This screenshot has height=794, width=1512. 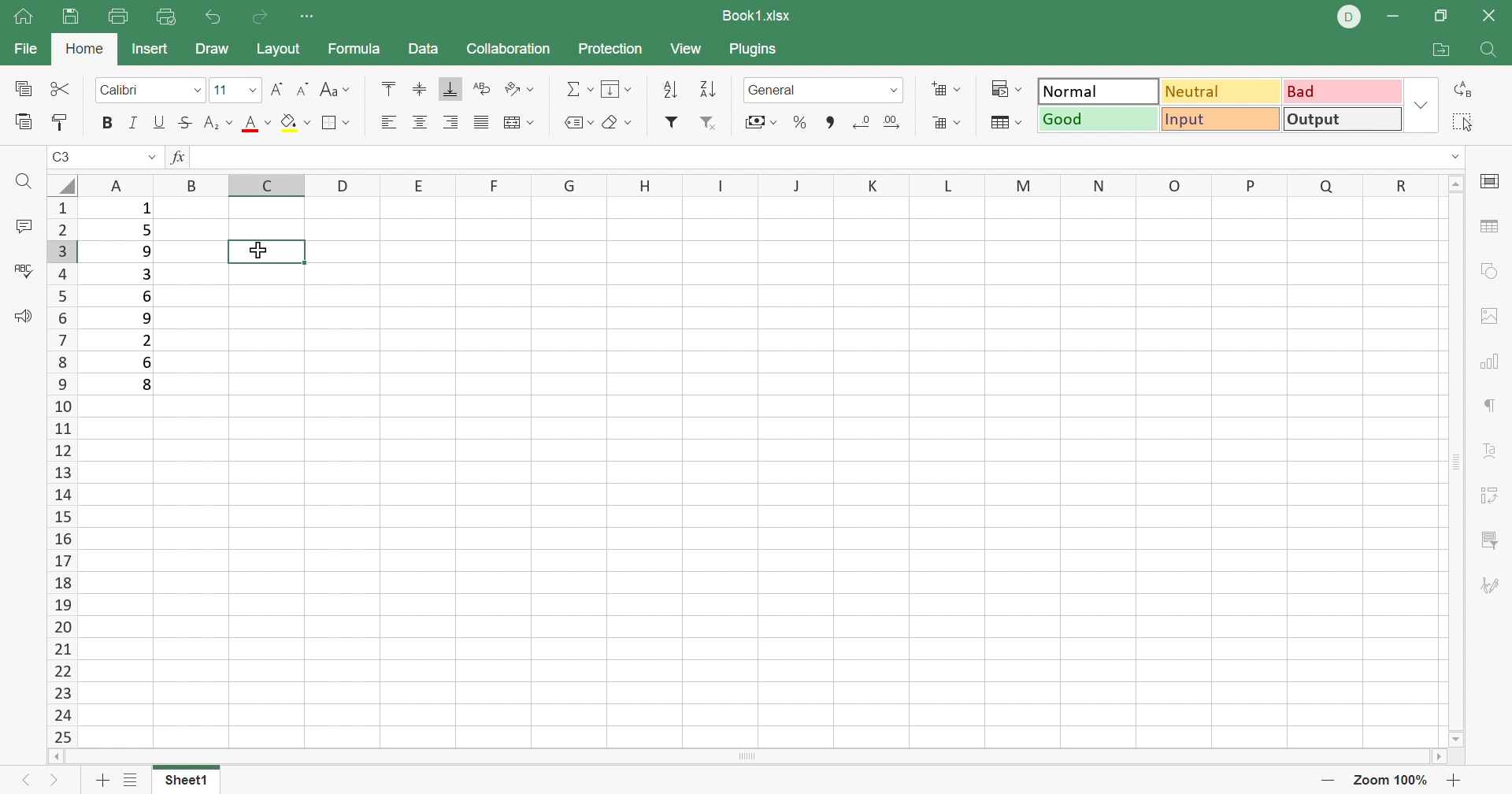 What do you see at coordinates (275, 91) in the screenshot?
I see `Increment font size` at bounding box center [275, 91].